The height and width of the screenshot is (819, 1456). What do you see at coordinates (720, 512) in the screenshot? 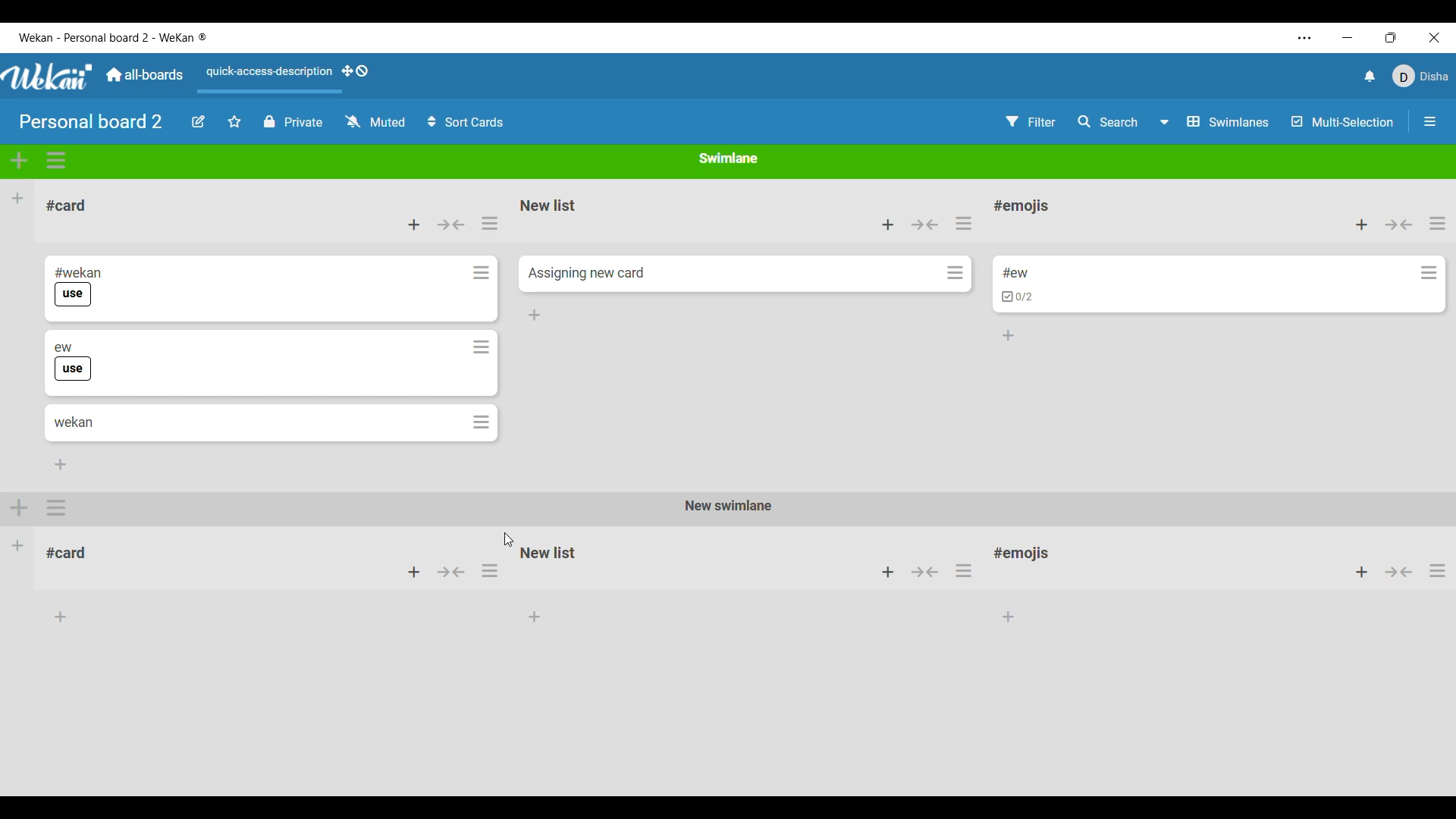
I see `New swimlane` at bounding box center [720, 512].